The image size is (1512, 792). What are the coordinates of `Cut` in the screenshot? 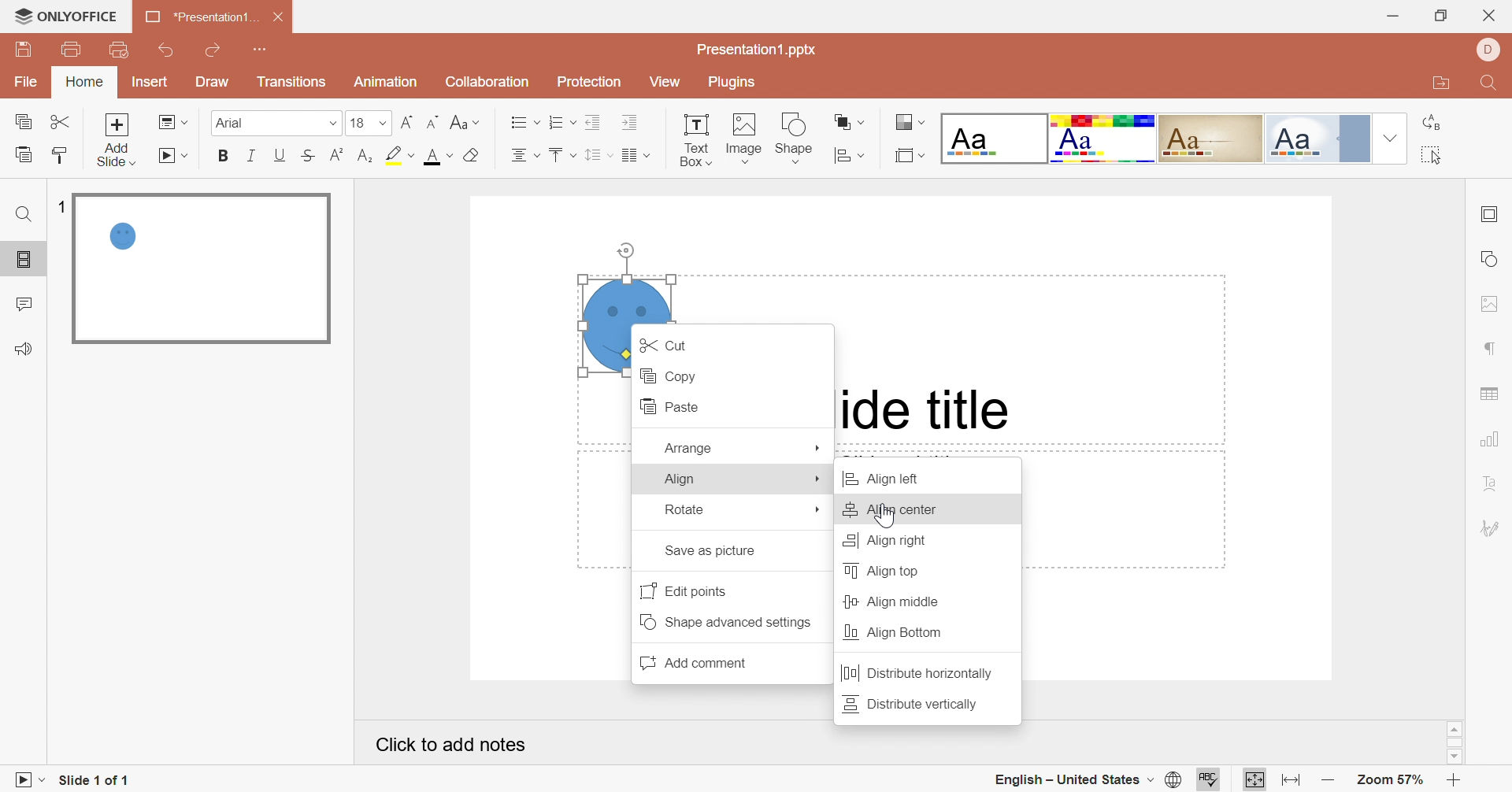 It's located at (670, 345).